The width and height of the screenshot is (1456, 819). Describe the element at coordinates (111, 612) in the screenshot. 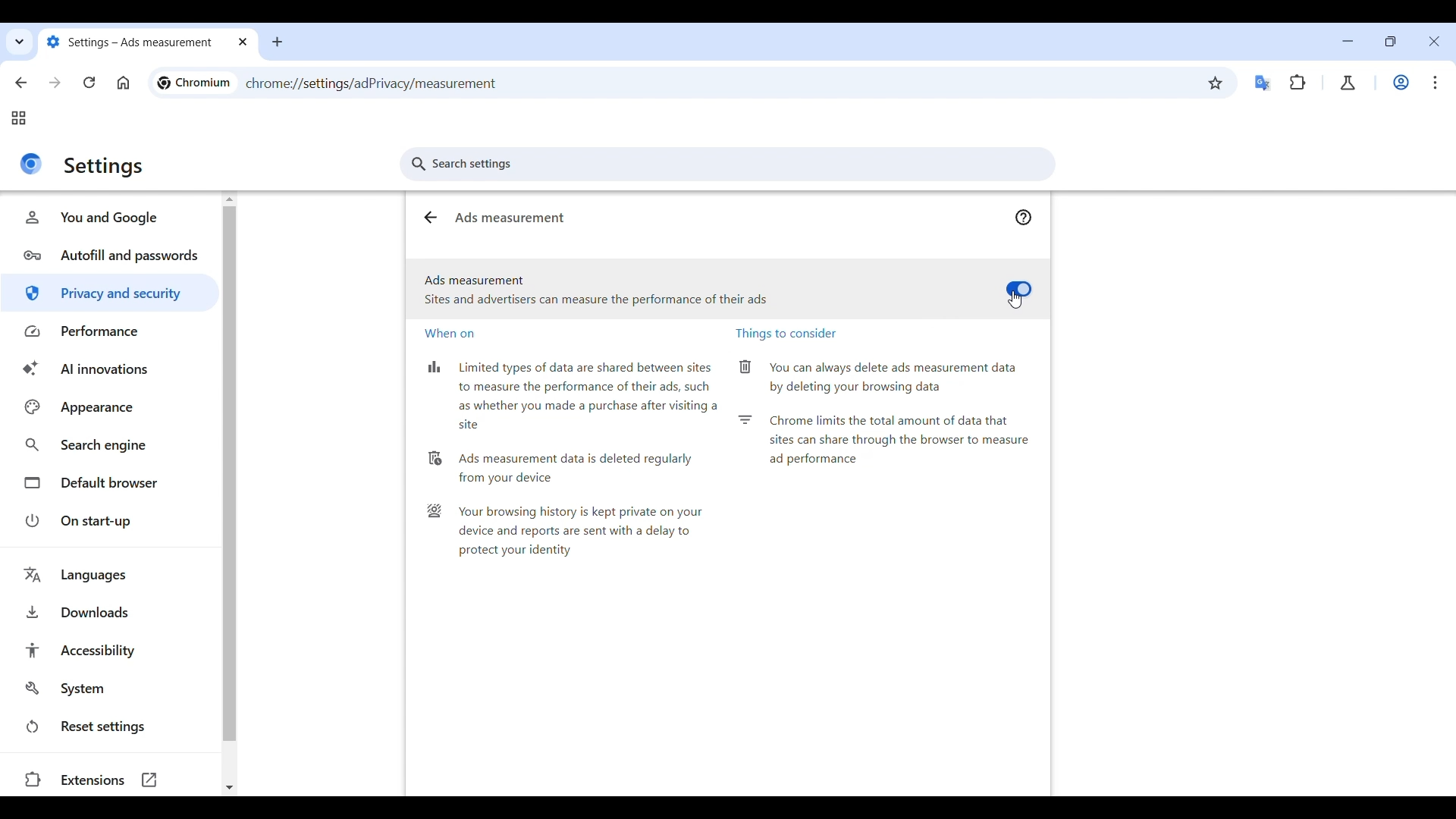

I see `Downloads` at that location.